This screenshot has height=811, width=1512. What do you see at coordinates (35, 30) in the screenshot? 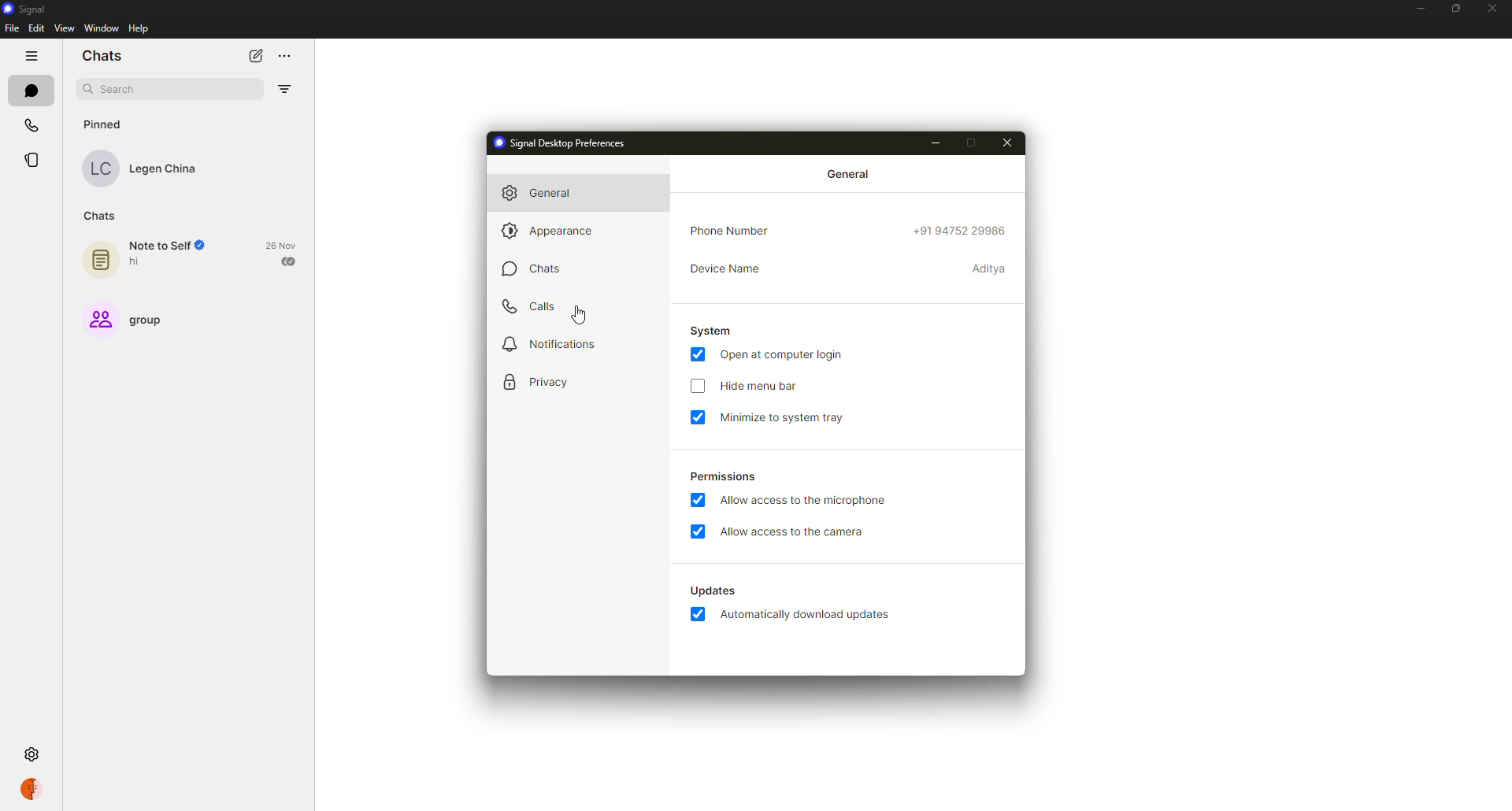
I see `edit` at bounding box center [35, 30].